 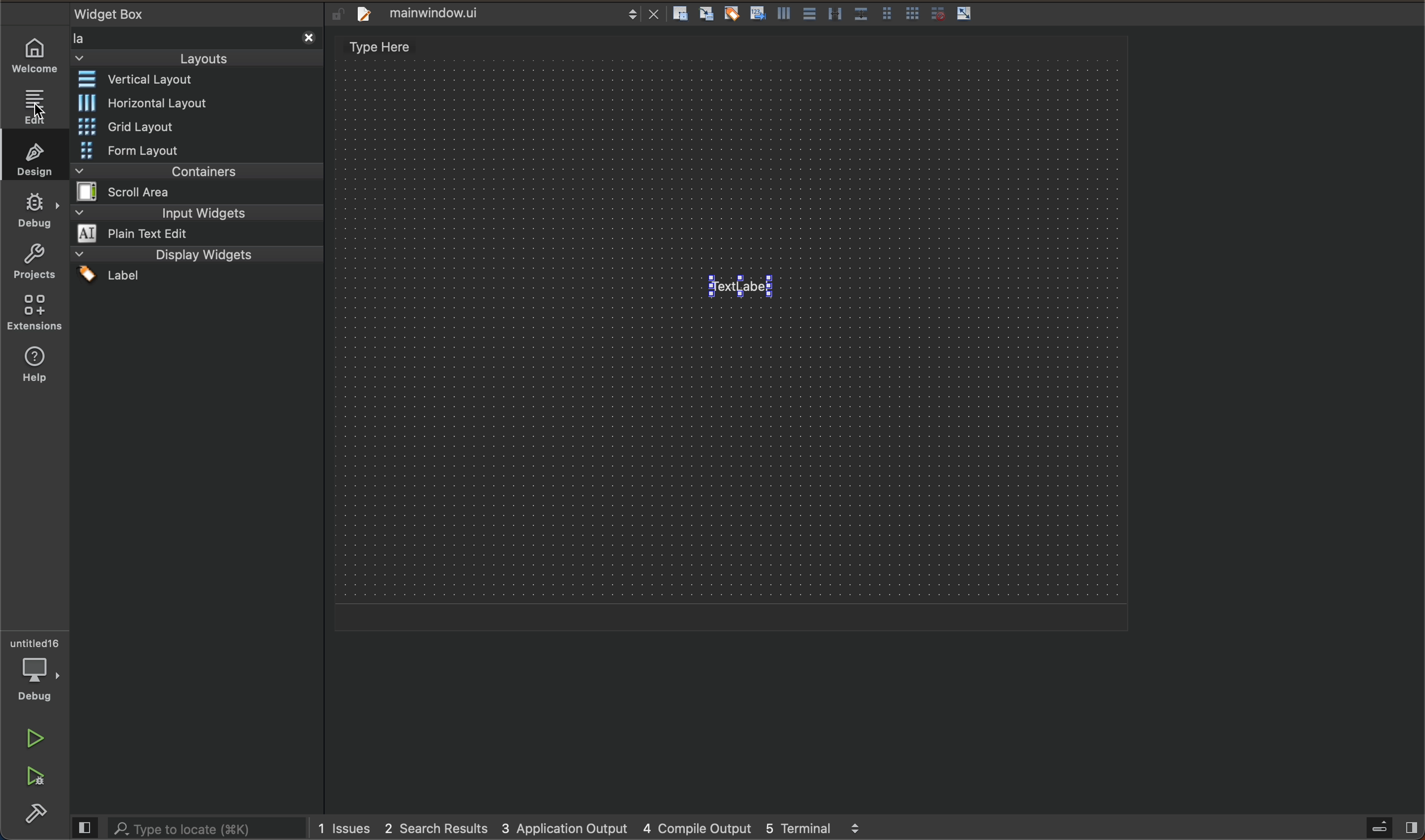 What do you see at coordinates (83, 827) in the screenshot?
I see `Preview` at bounding box center [83, 827].